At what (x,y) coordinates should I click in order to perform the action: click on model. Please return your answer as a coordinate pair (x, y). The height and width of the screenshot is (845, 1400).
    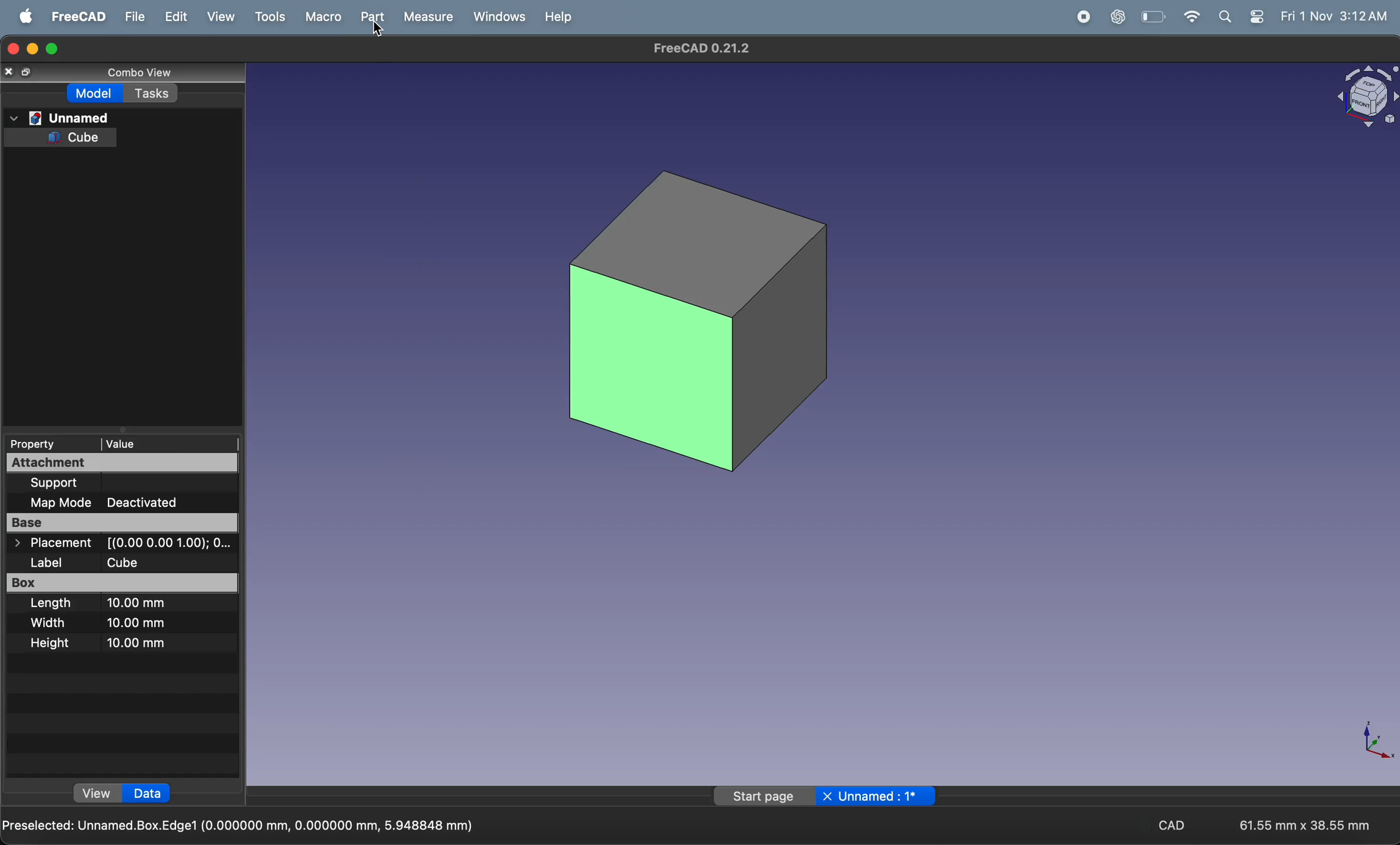
    Looking at the image, I should click on (94, 93).